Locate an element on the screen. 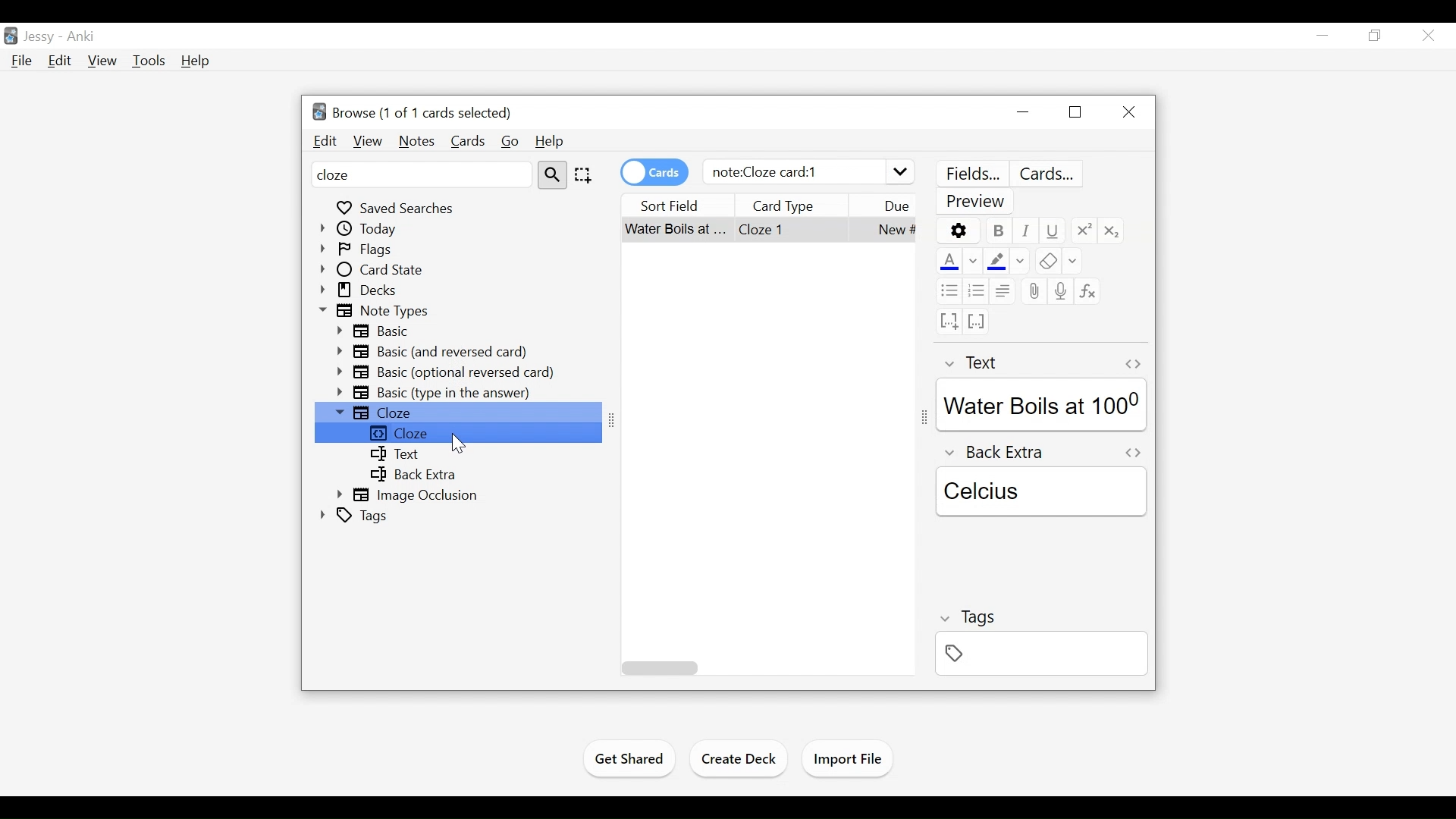 The height and width of the screenshot is (819, 1456). Upload file is located at coordinates (1032, 291).